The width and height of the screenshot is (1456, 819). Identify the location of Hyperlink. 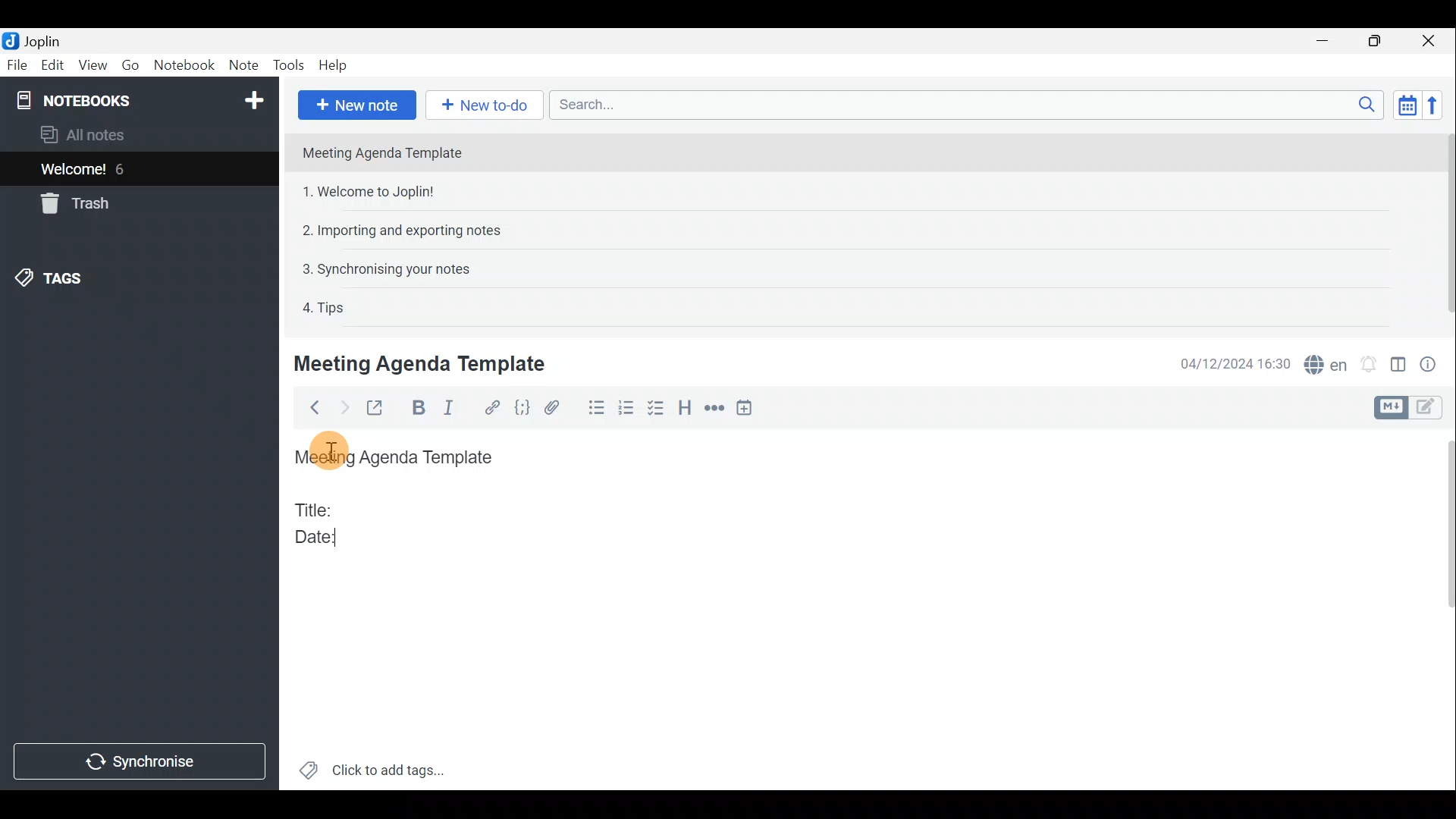
(491, 407).